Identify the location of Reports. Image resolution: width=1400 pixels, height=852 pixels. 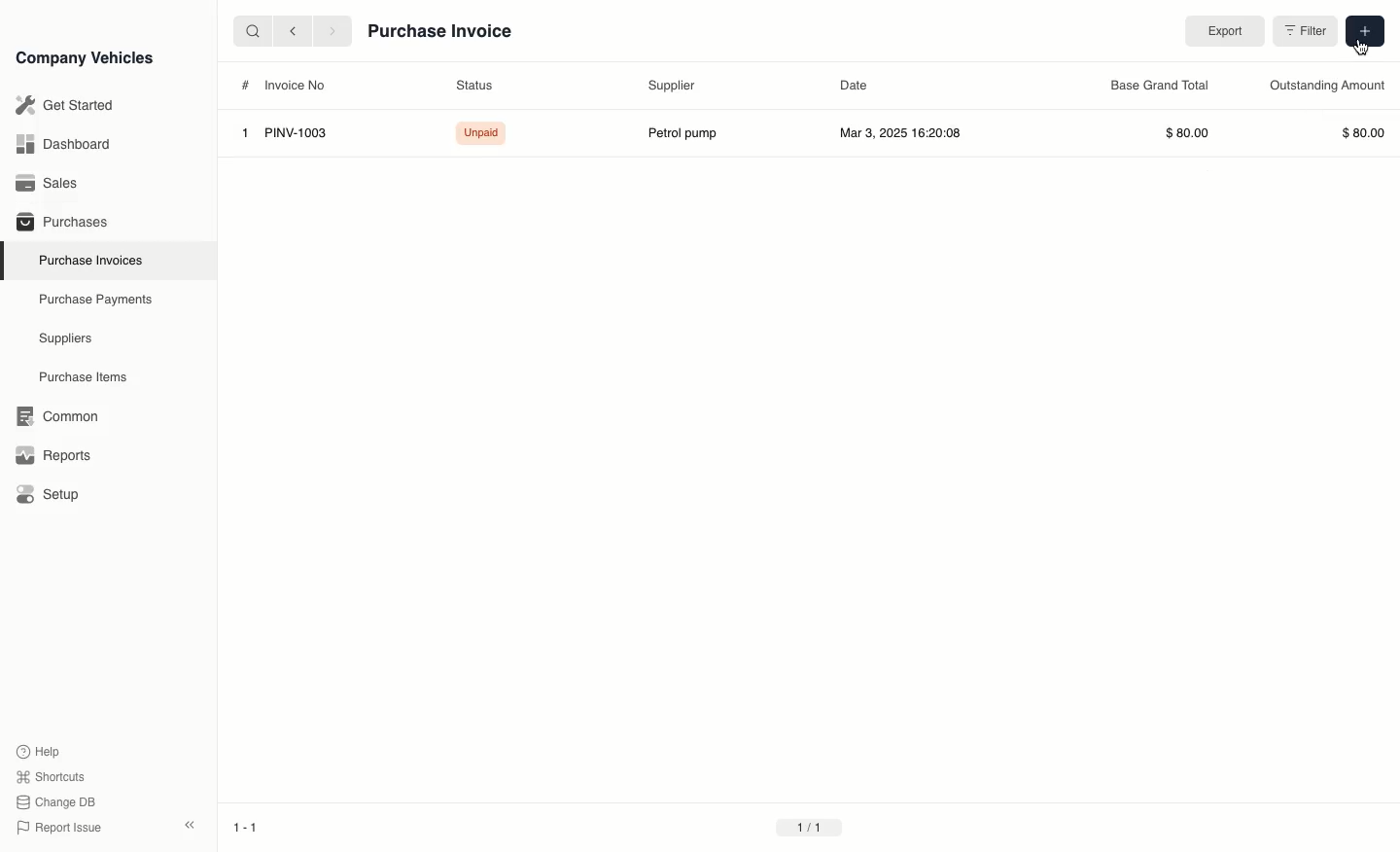
(53, 455).